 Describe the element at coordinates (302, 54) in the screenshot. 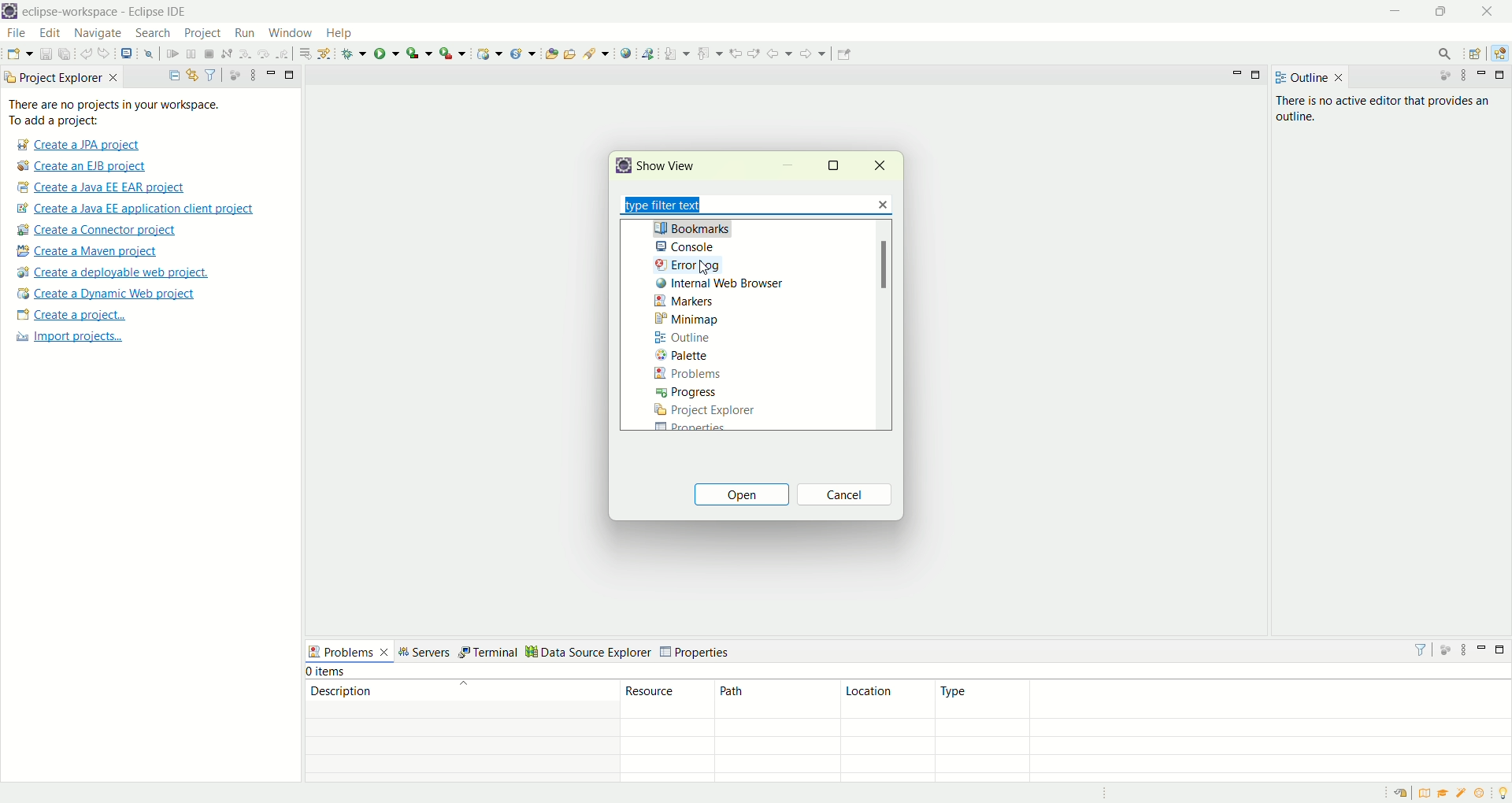

I see `drop to frame` at that location.